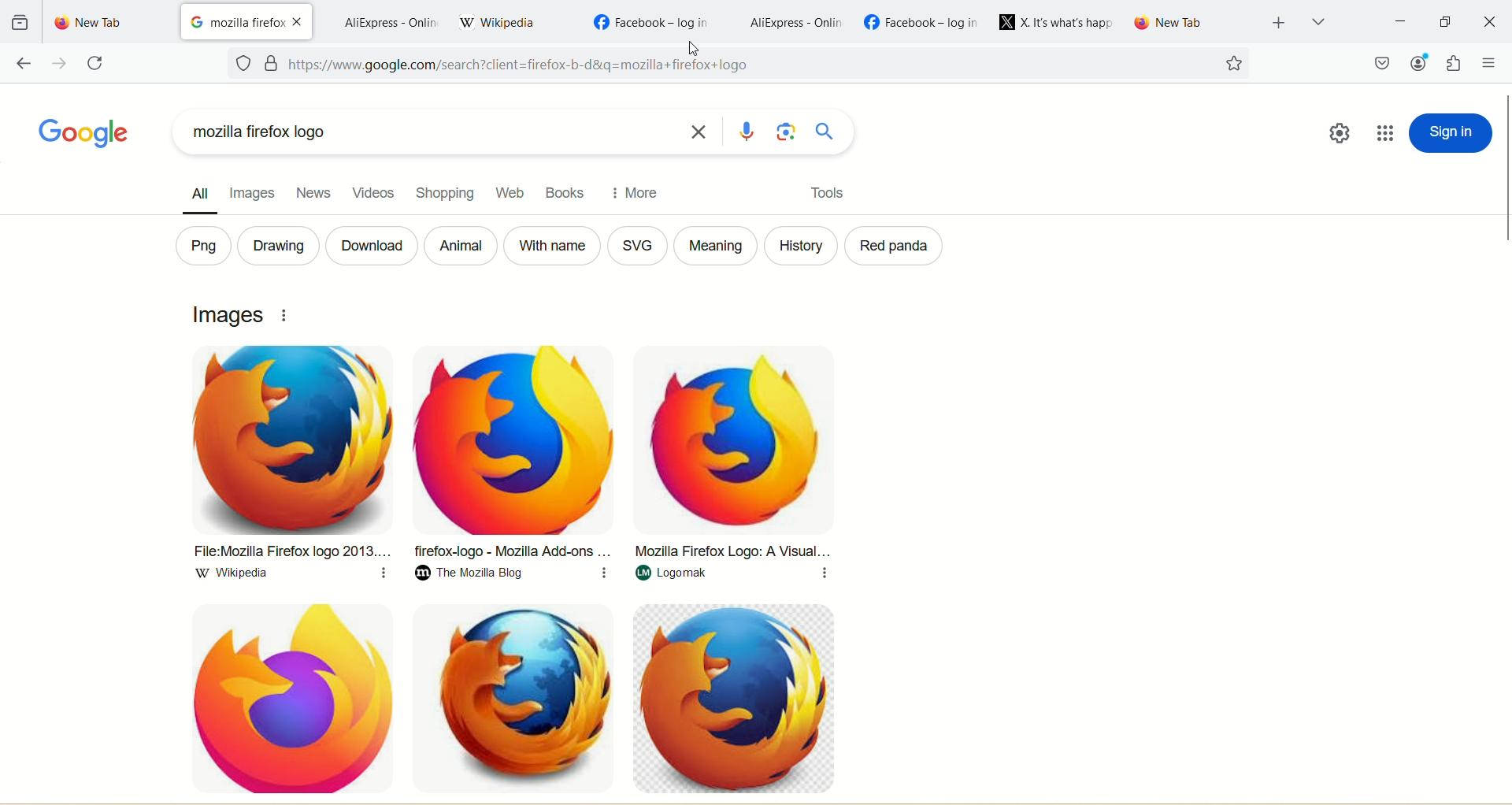 This screenshot has width=1512, height=805. Describe the element at coordinates (243, 64) in the screenshot. I see `Protections` at that location.